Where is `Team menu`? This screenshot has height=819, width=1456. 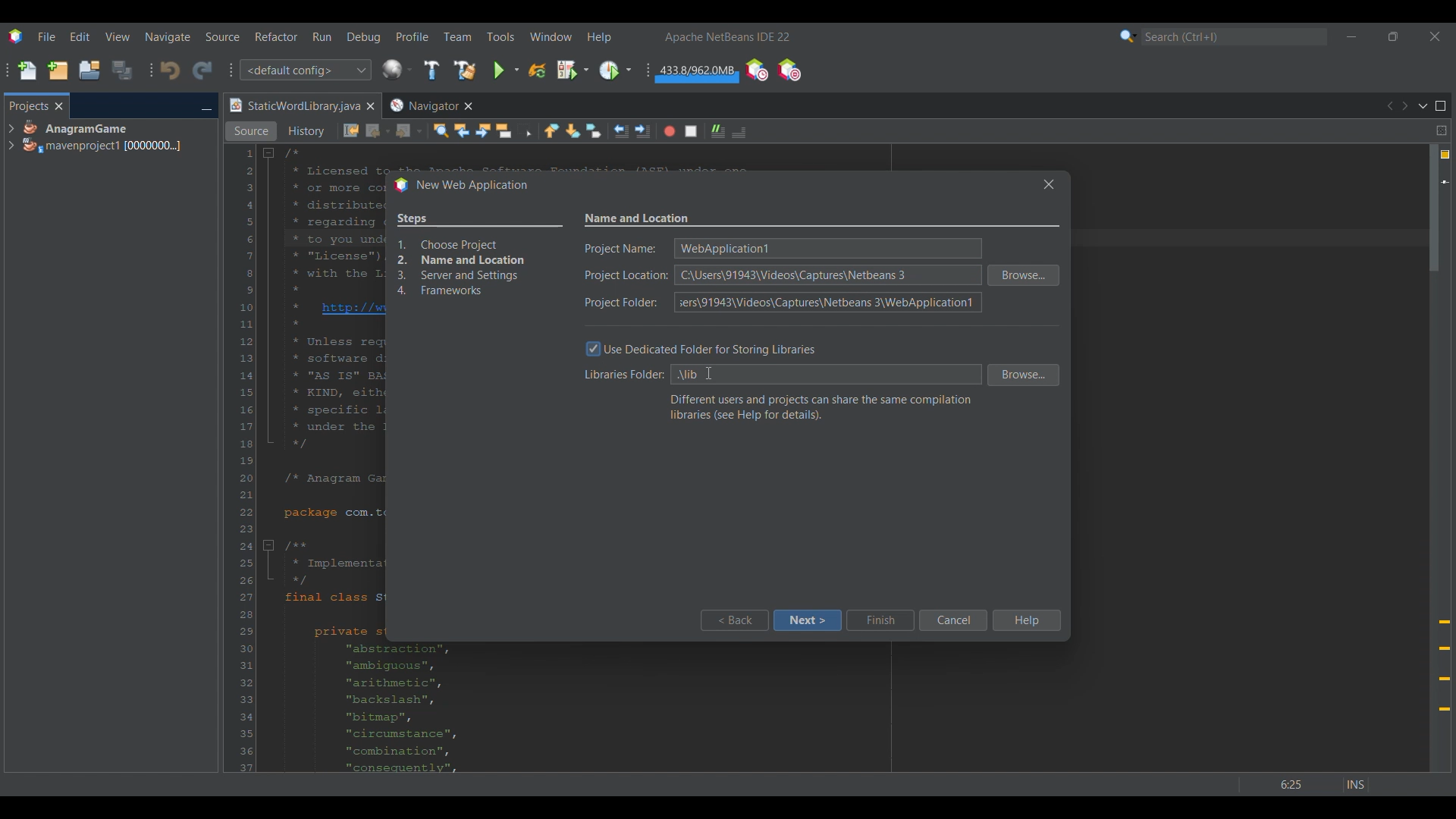
Team menu is located at coordinates (457, 36).